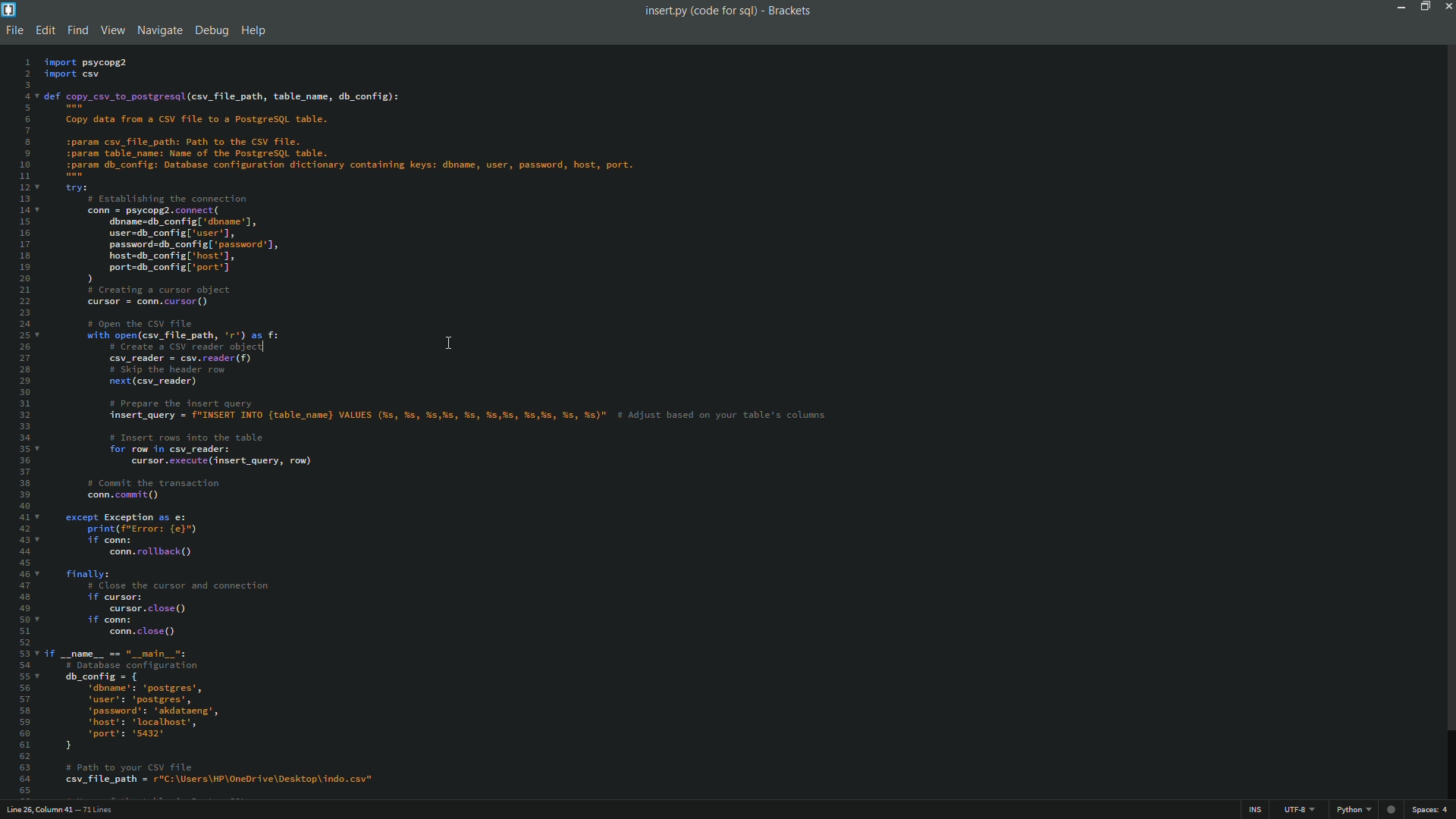 This screenshot has width=1456, height=819. Describe the element at coordinates (20, 425) in the screenshot. I see `line numbers` at that location.